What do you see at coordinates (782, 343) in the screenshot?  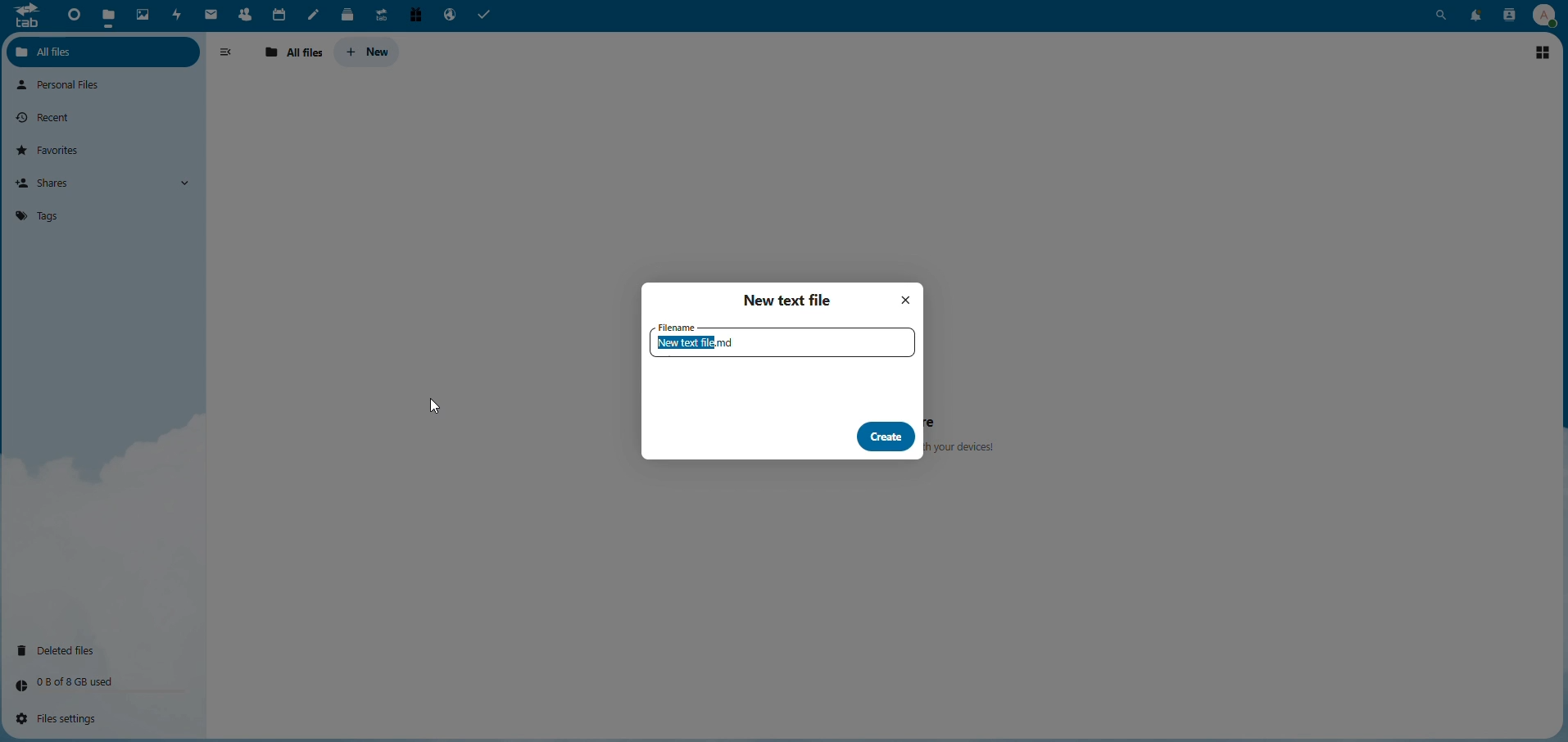 I see `Filename` at bounding box center [782, 343].